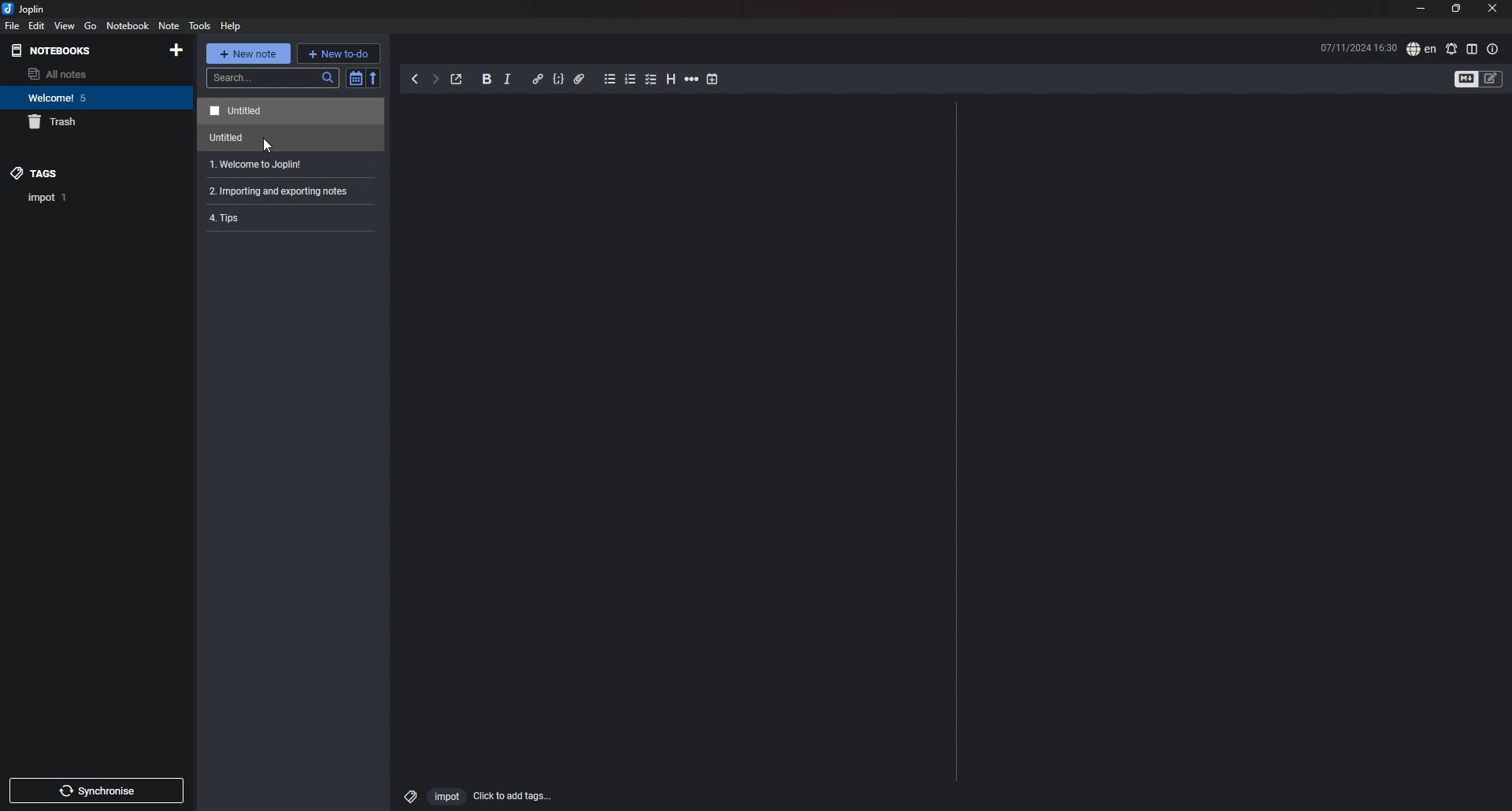  Describe the element at coordinates (339, 53) in the screenshot. I see `new todo` at that location.